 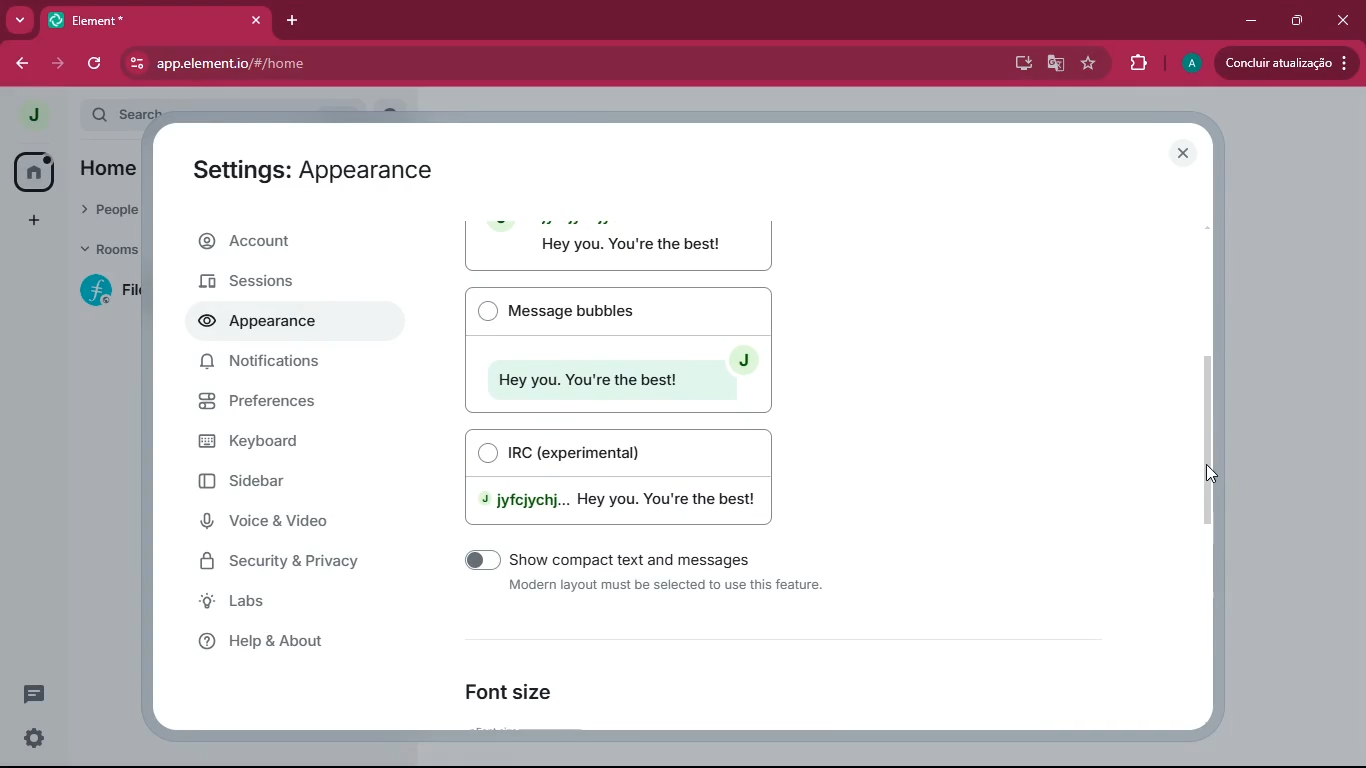 I want to click on settings, so click(x=34, y=739).